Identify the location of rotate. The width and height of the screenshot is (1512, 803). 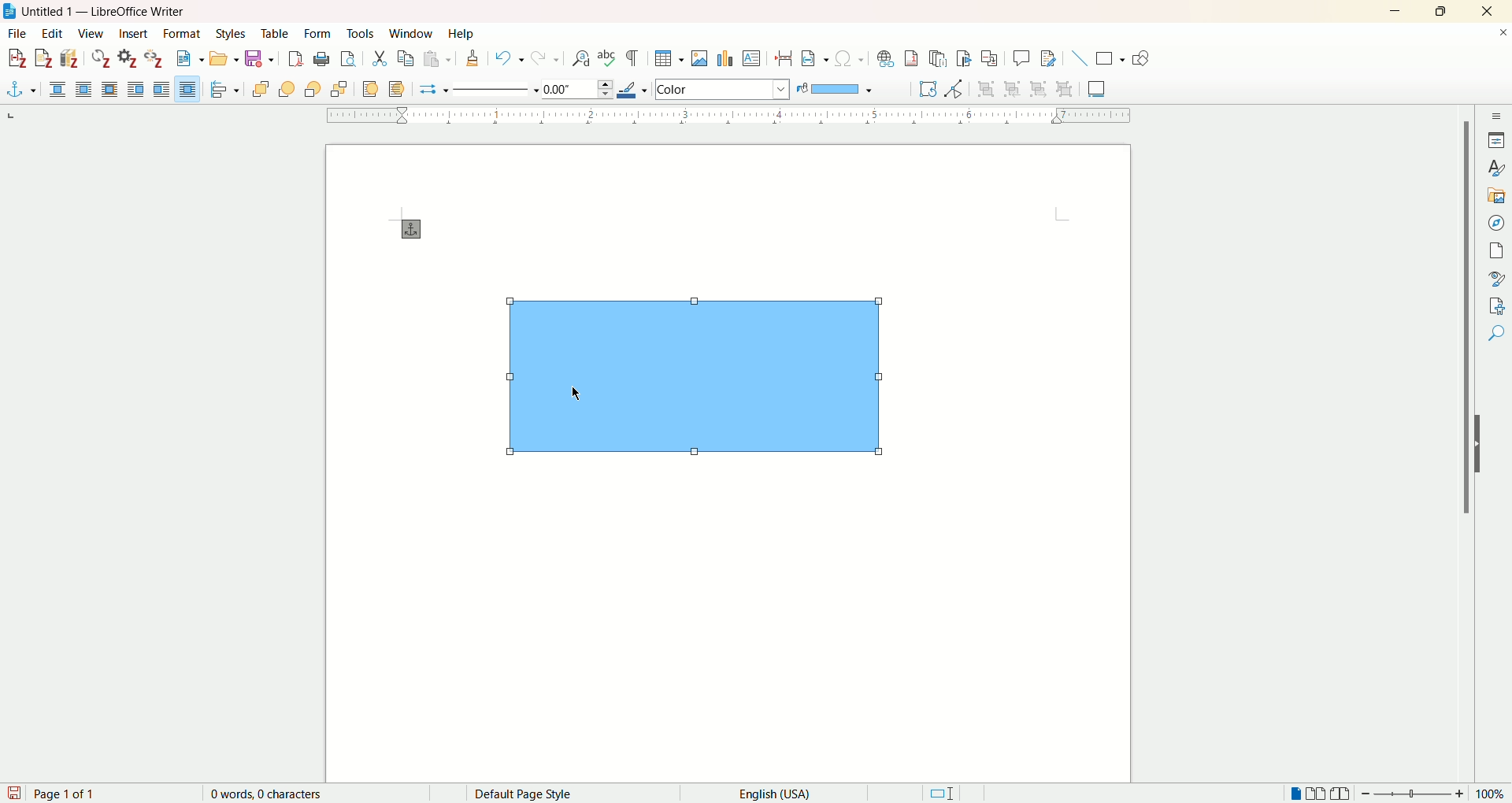
(928, 88).